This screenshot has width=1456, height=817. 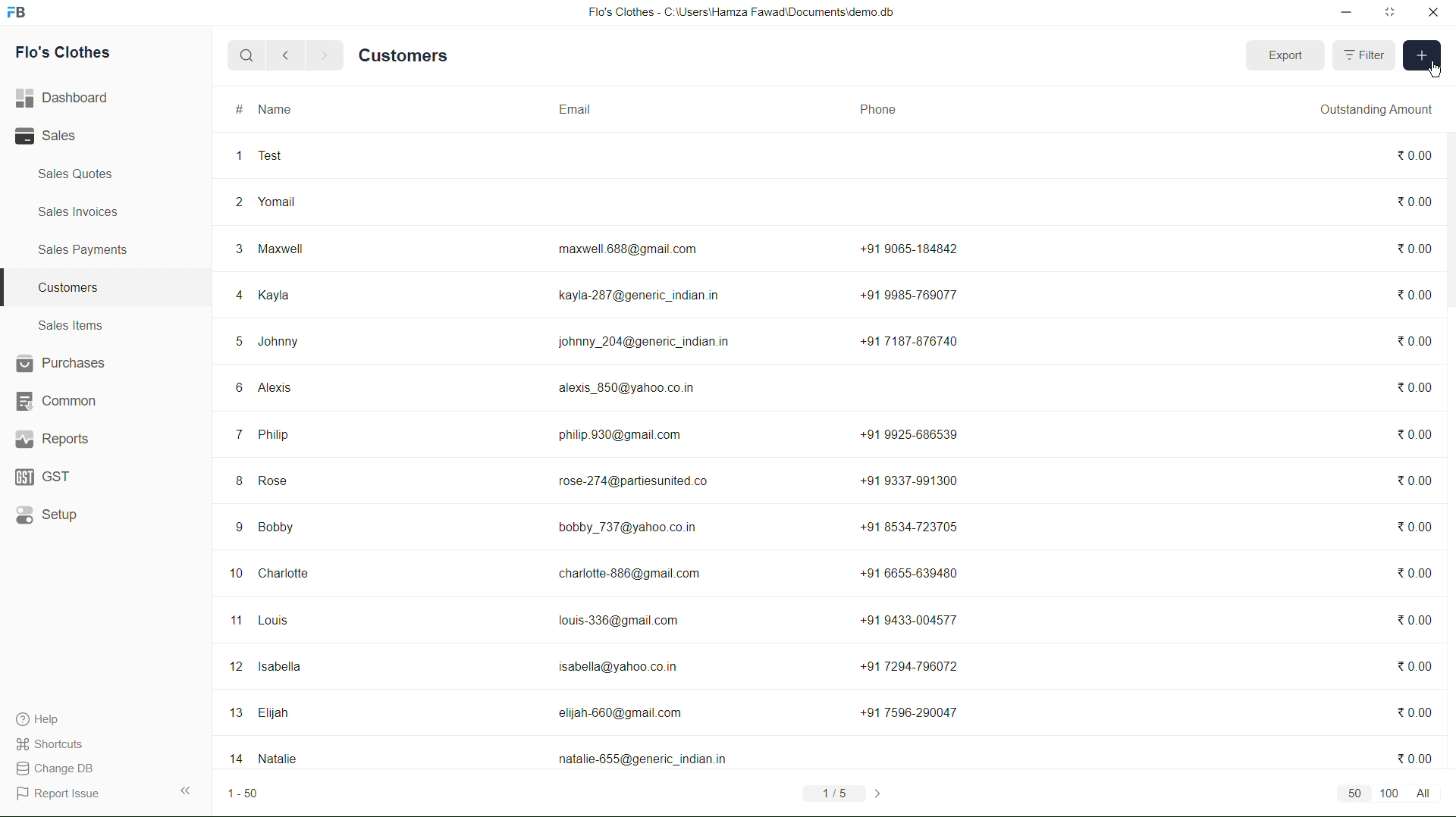 I want to click on Charlotte, so click(x=286, y=573).